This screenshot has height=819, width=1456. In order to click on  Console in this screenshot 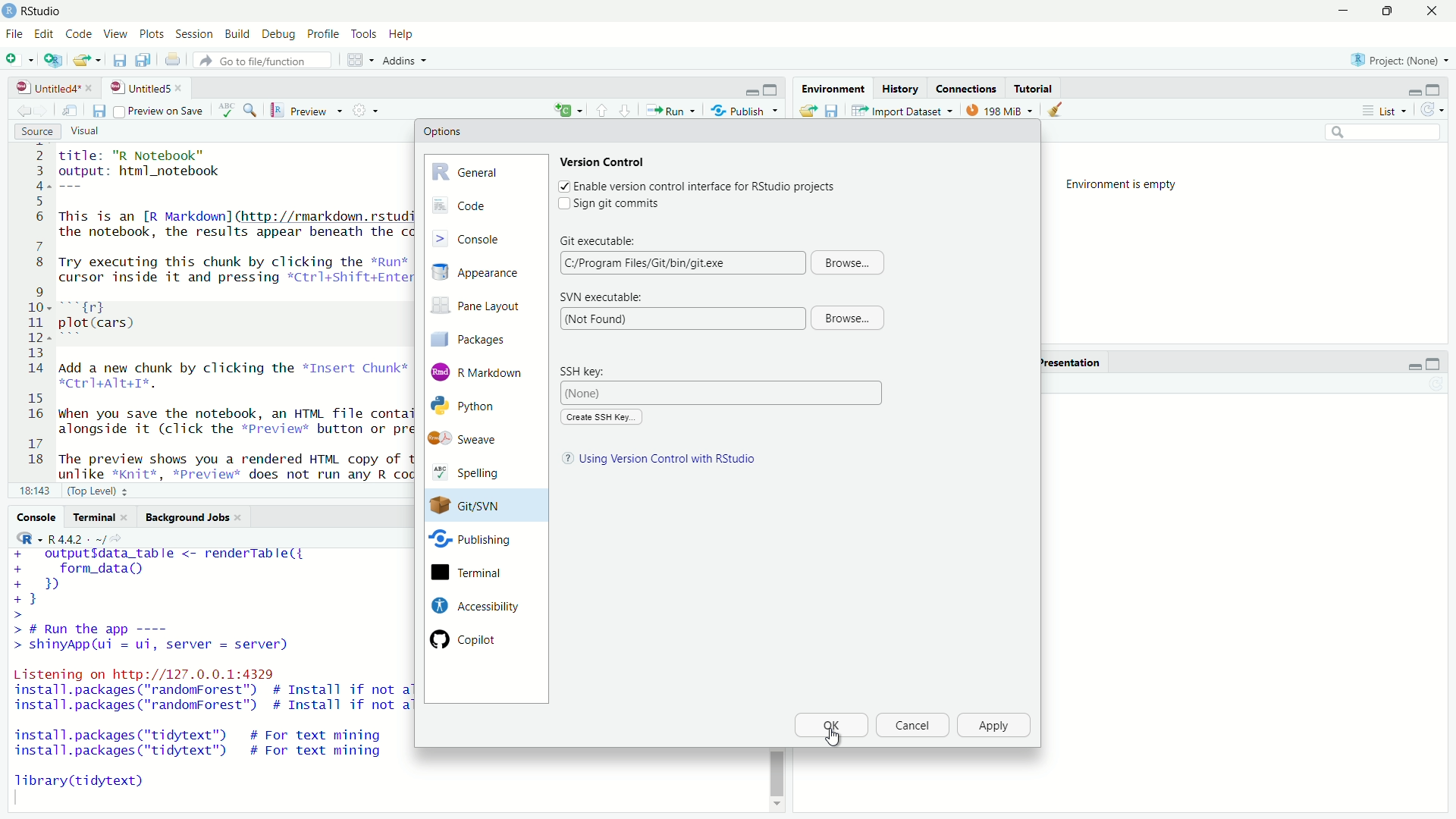, I will do `click(485, 237)`.